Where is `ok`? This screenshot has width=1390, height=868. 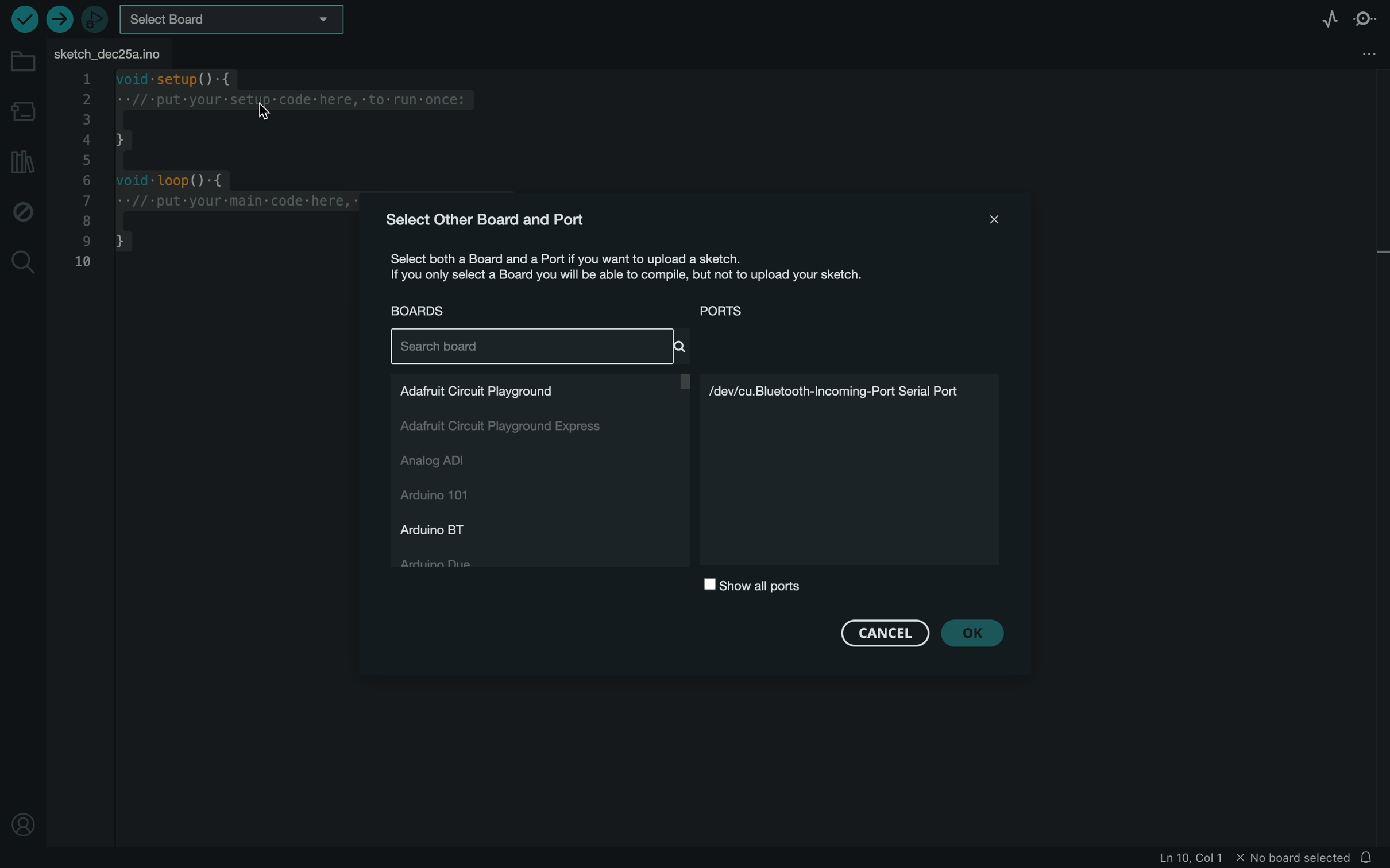 ok is located at coordinates (978, 633).